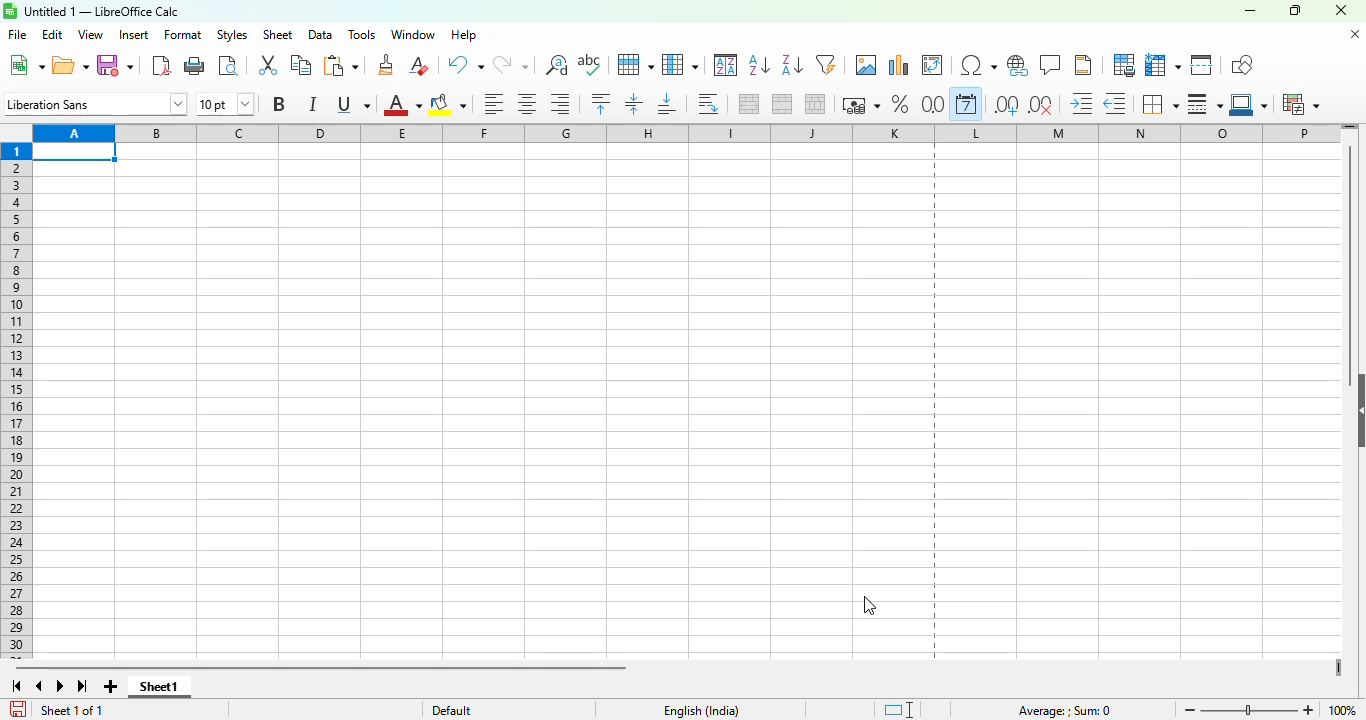  I want to click on window, so click(412, 34).